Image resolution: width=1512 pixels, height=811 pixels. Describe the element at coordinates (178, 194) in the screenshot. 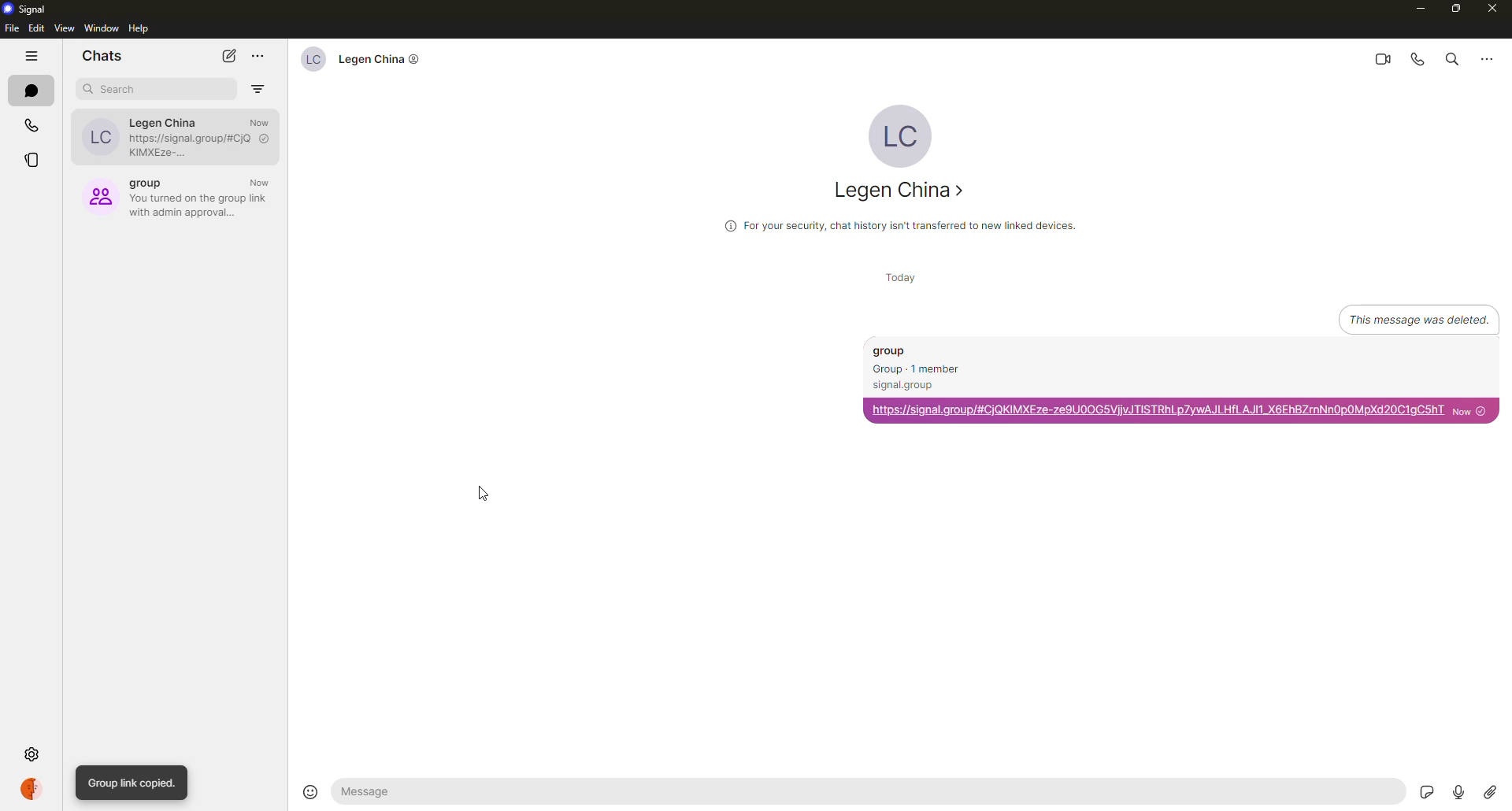

I see `group` at that location.